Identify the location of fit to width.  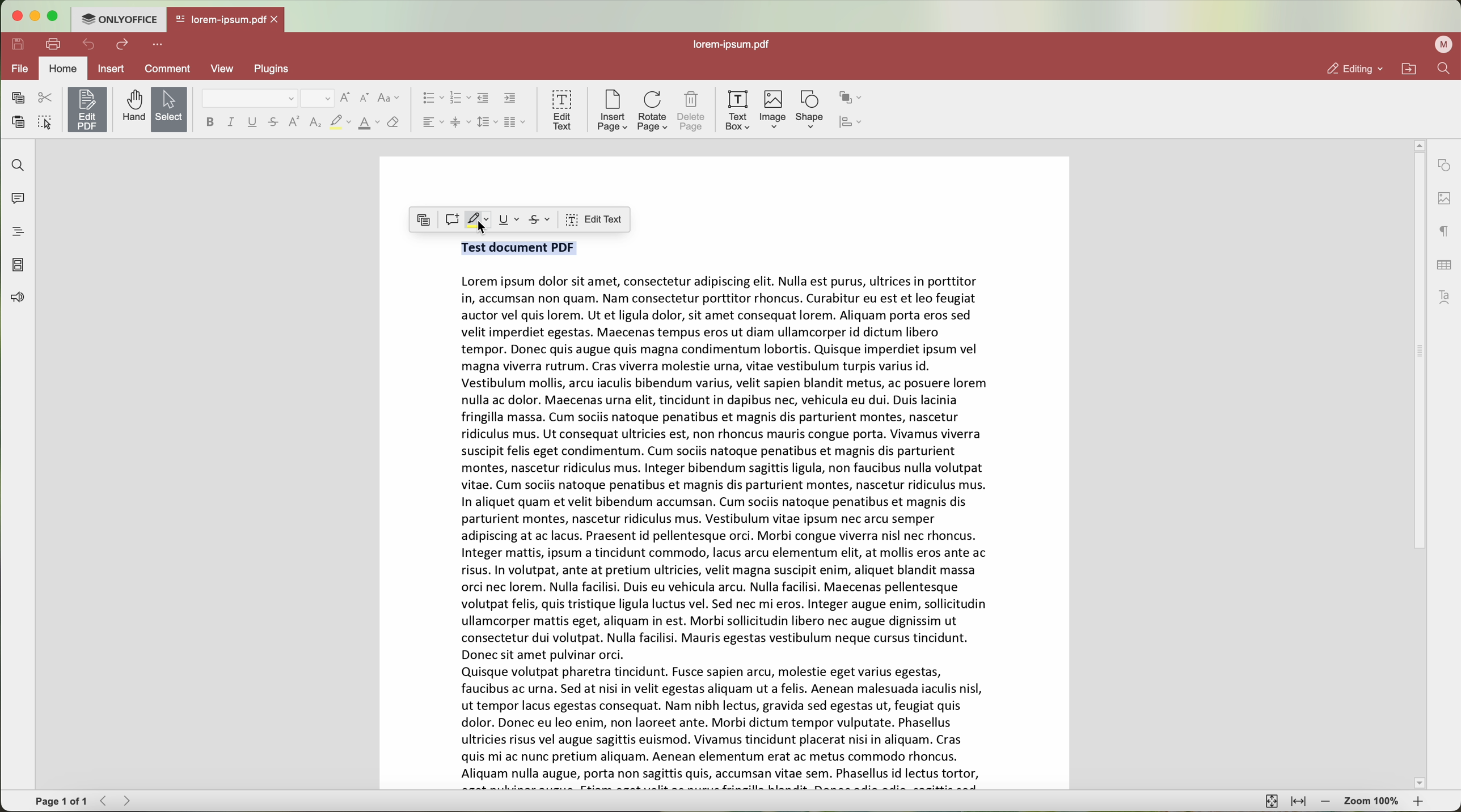
(1298, 801).